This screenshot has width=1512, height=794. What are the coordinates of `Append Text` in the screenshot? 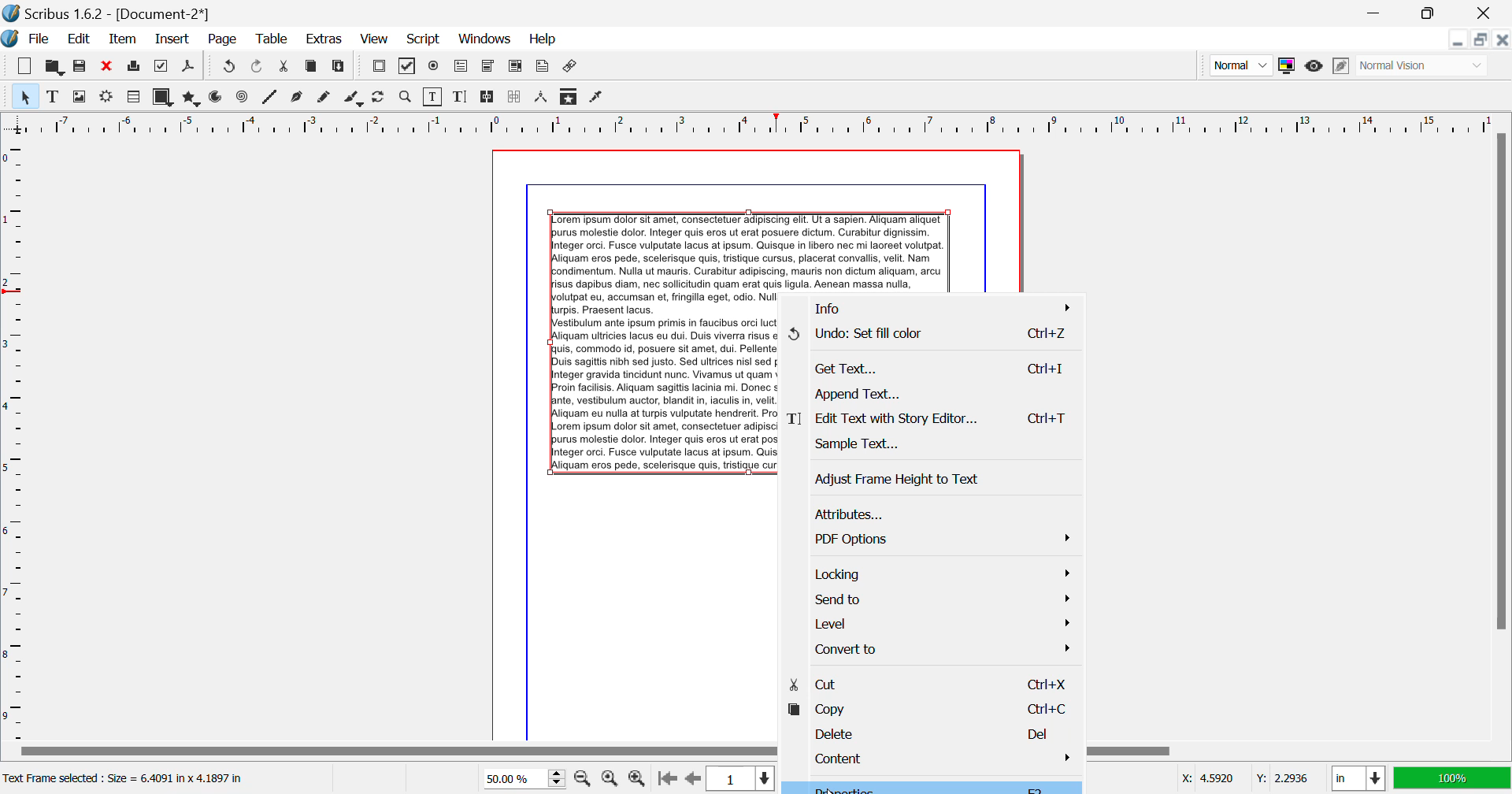 It's located at (932, 392).